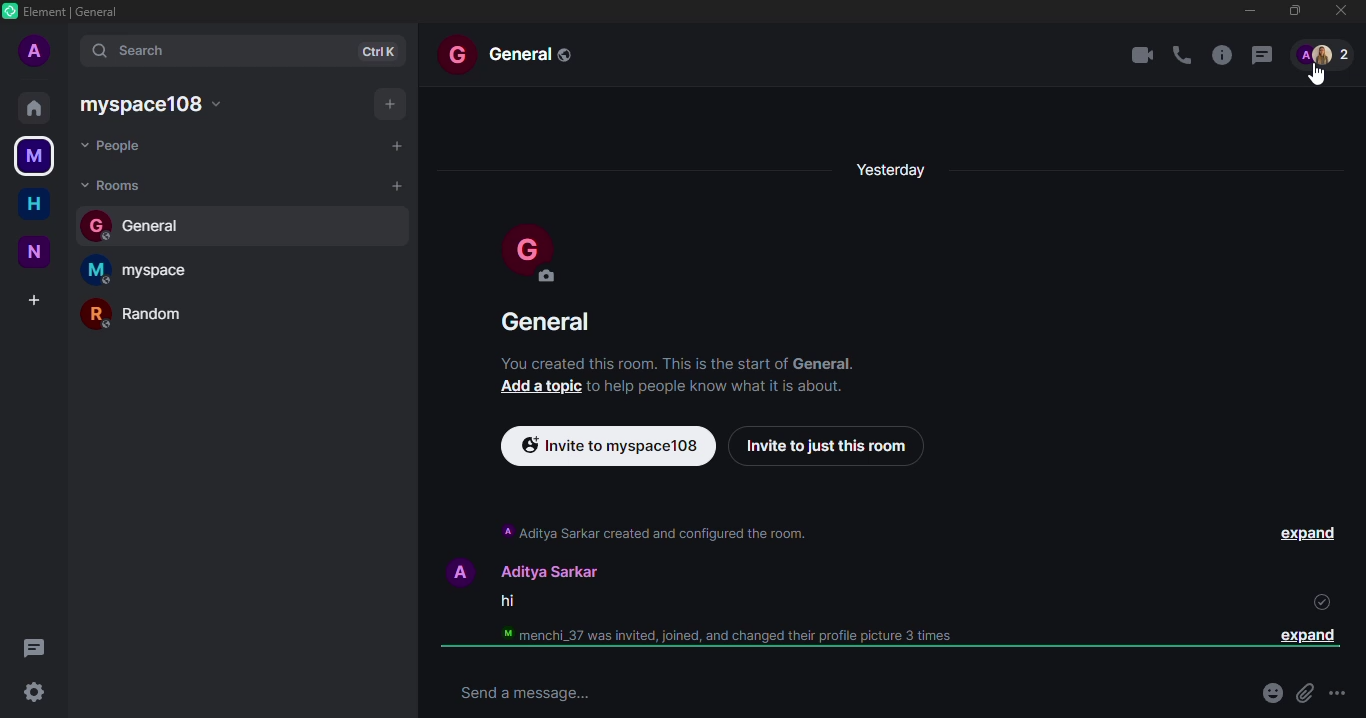 The width and height of the screenshot is (1366, 718). I want to click on hi, so click(504, 603).